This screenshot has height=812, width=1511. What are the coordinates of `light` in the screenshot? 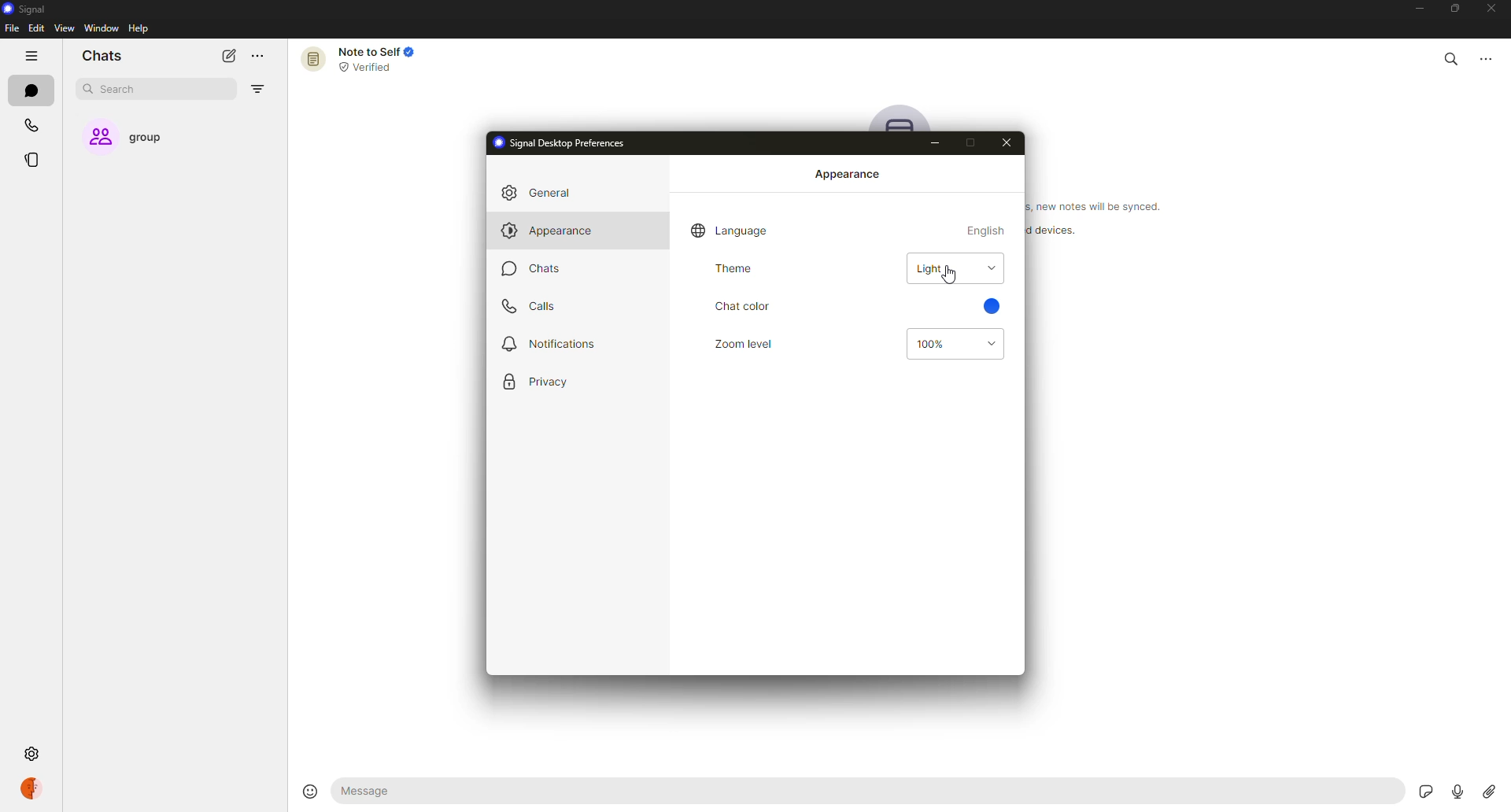 It's located at (946, 269).